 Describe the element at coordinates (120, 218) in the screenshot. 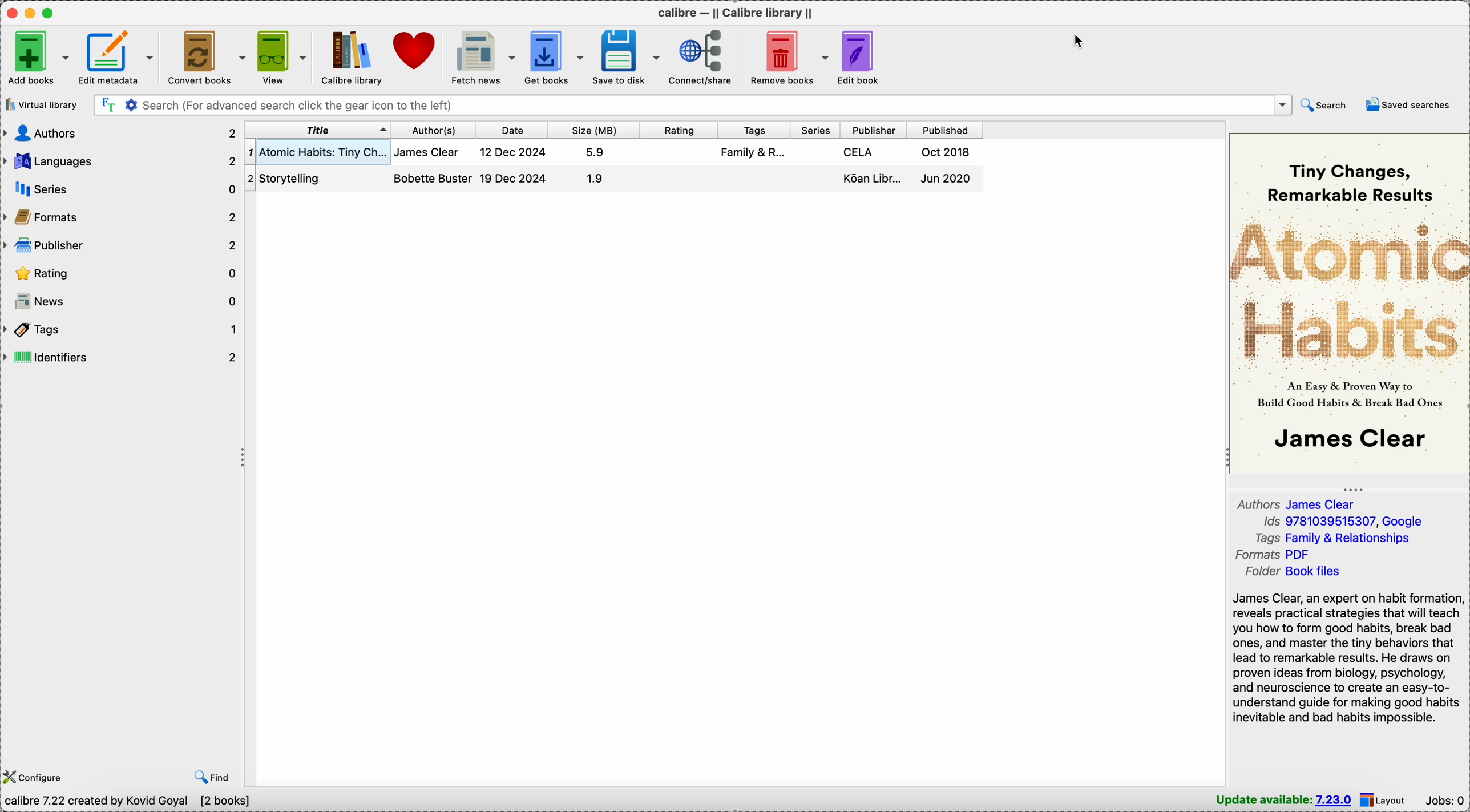

I see `formats` at that location.